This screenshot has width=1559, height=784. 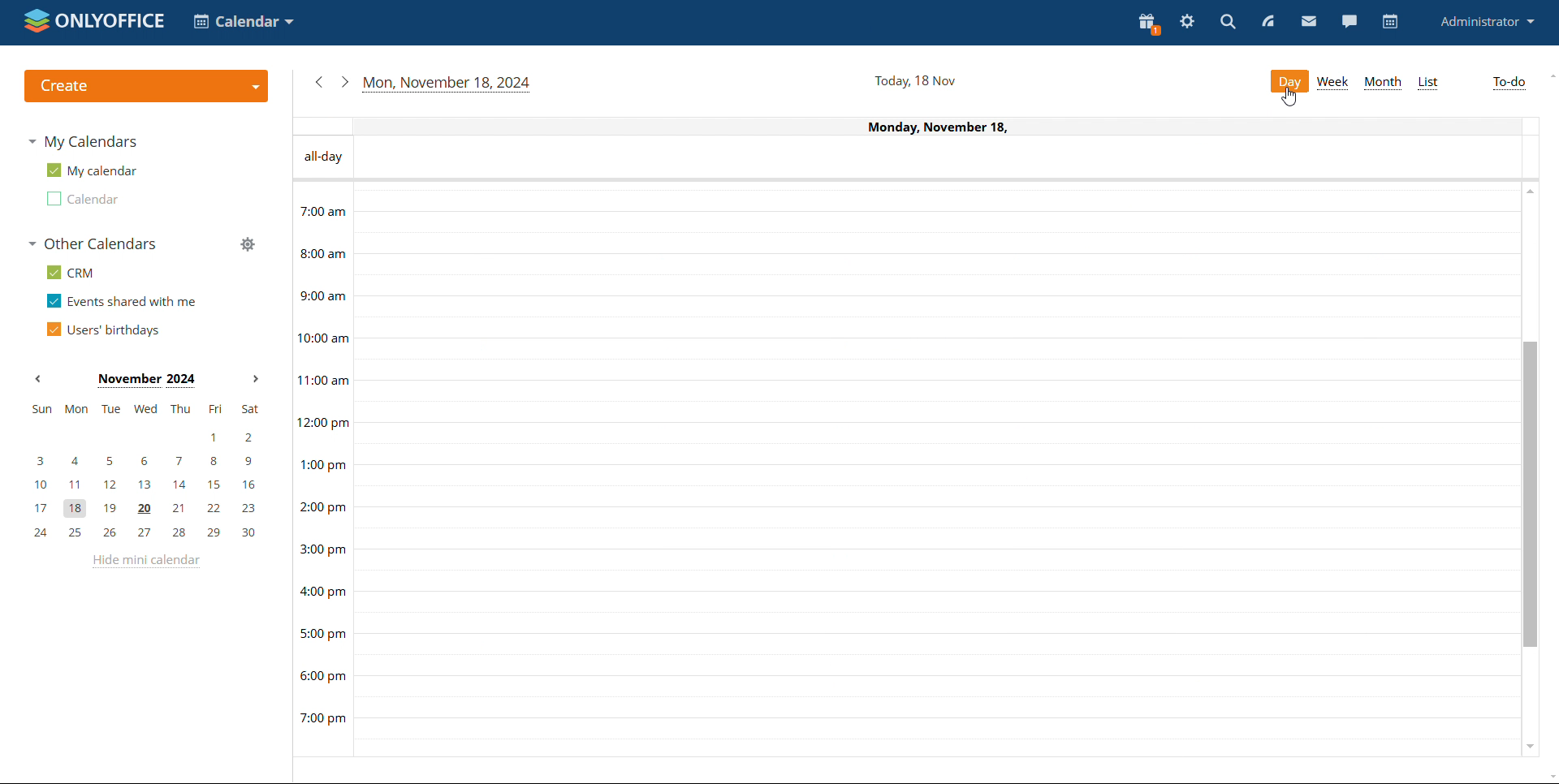 What do you see at coordinates (122, 301) in the screenshot?
I see `events shared with me` at bounding box center [122, 301].